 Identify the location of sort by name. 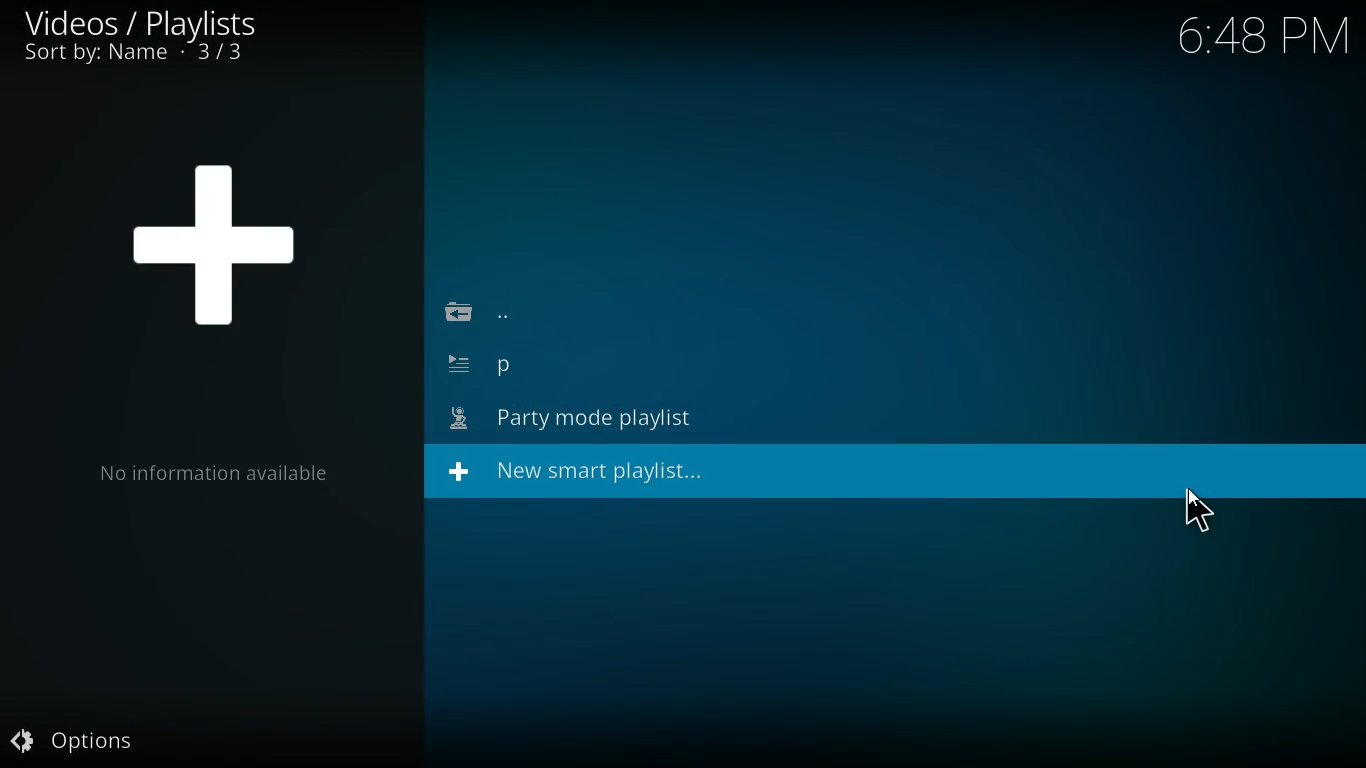
(151, 55).